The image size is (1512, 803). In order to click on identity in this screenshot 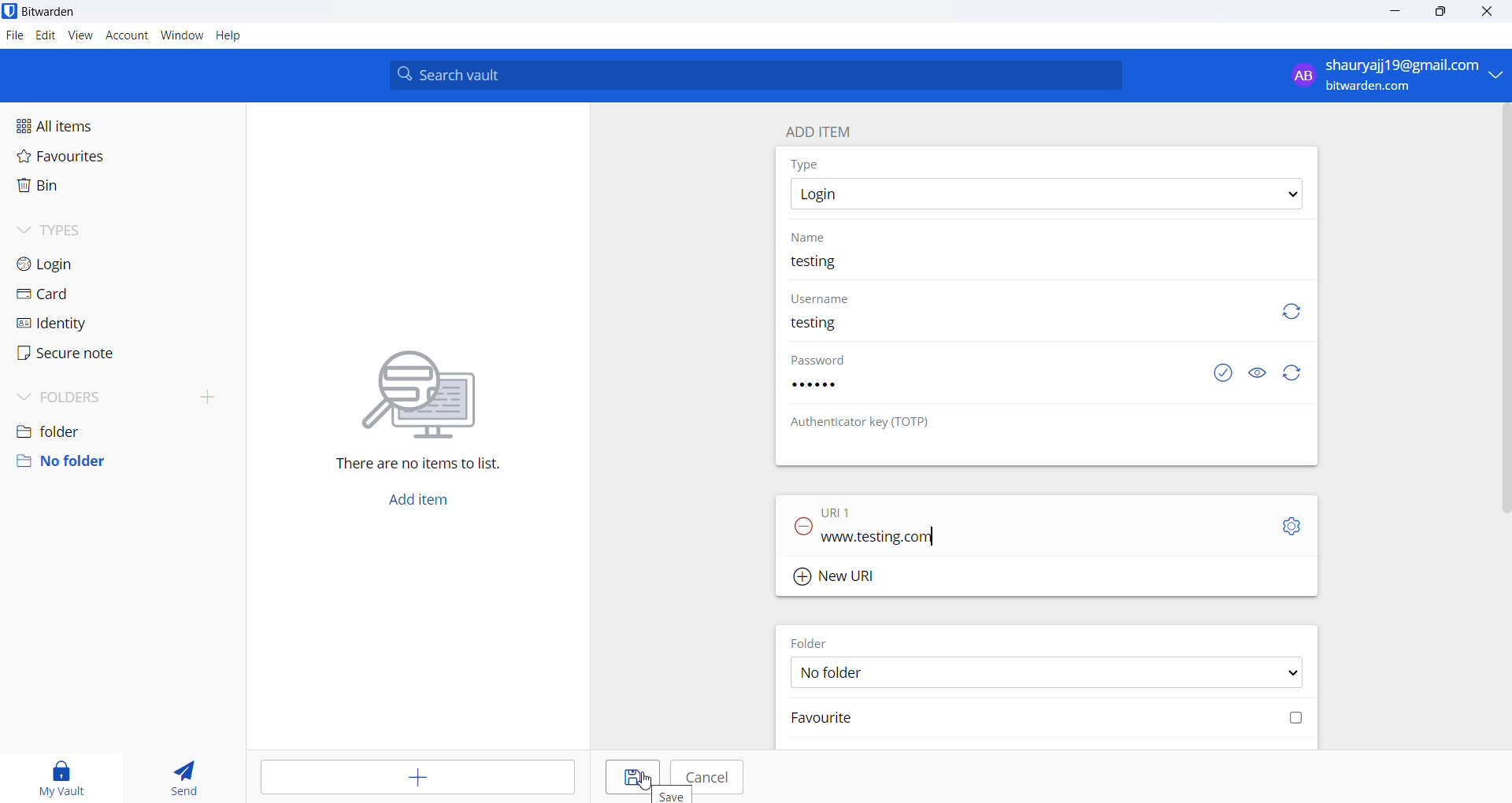, I will do `click(76, 324)`.